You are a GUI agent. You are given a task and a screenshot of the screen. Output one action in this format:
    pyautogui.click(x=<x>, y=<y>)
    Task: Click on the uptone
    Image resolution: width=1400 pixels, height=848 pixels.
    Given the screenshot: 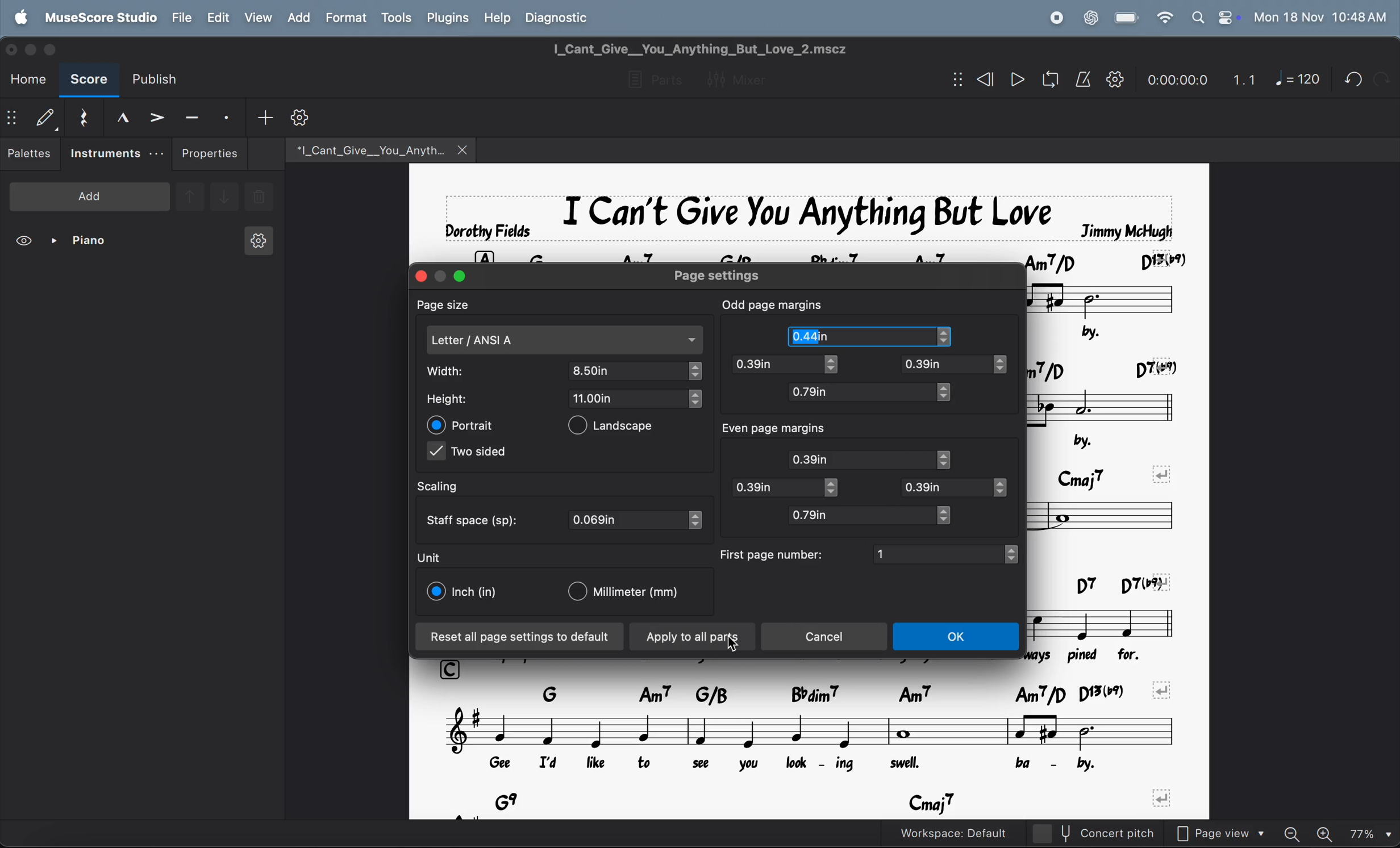 What is the action you would take?
    pyautogui.click(x=189, y=195)
    